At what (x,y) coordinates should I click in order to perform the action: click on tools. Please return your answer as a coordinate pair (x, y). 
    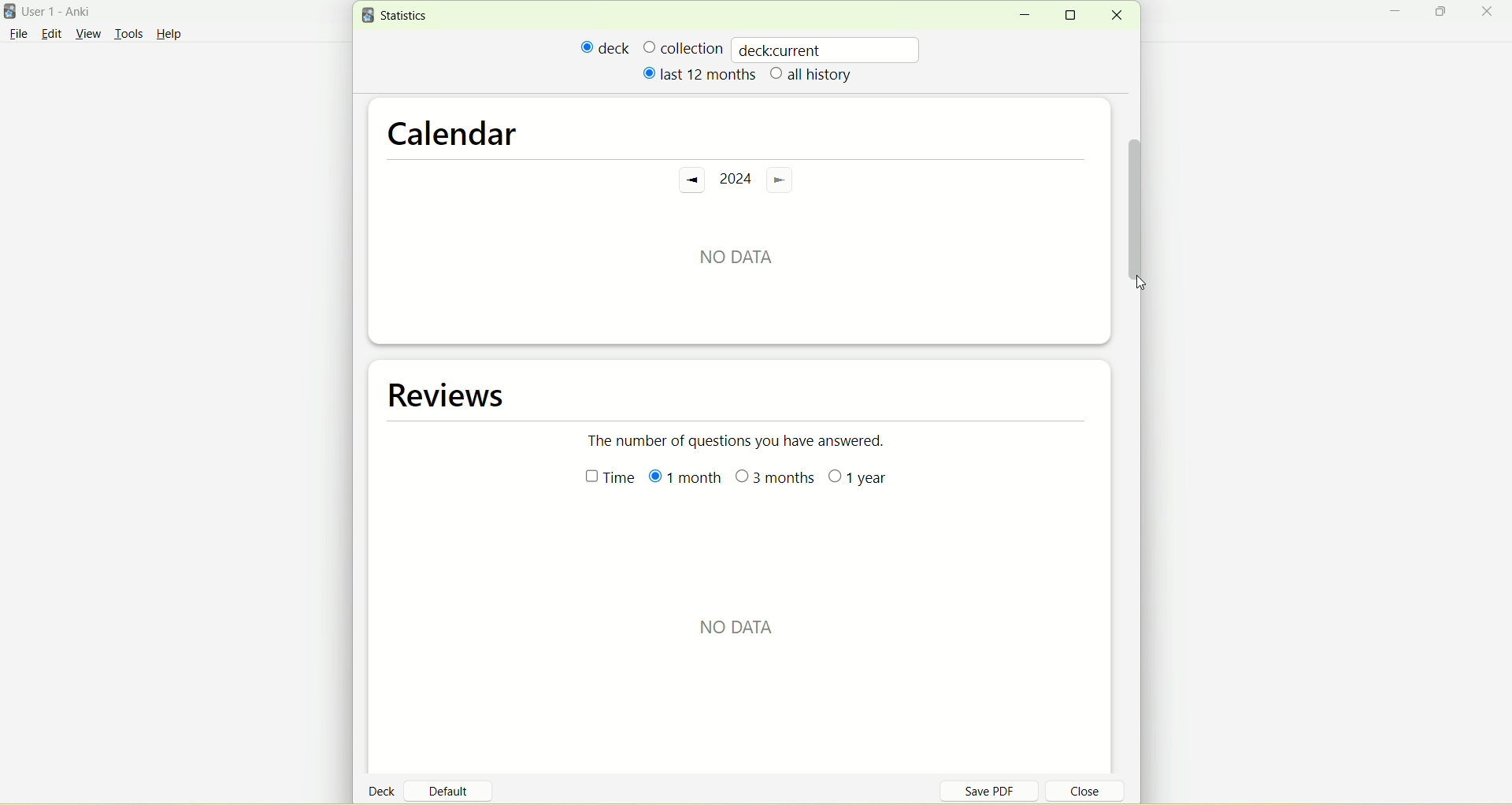
    Looking at the image, I should click on (128, 35).